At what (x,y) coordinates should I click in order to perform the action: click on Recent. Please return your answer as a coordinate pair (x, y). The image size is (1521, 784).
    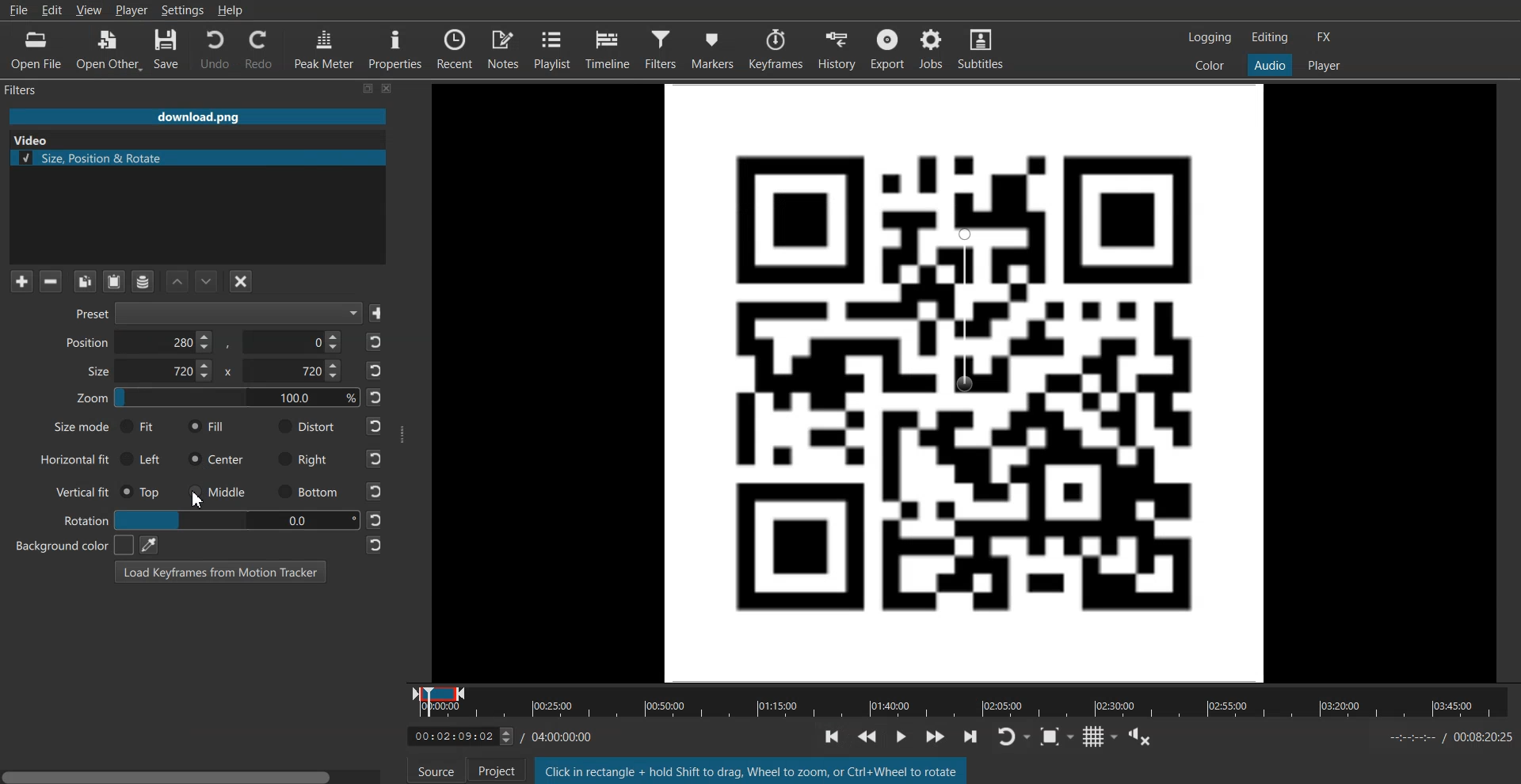
    Looking at the image, I should click on (456, 48).